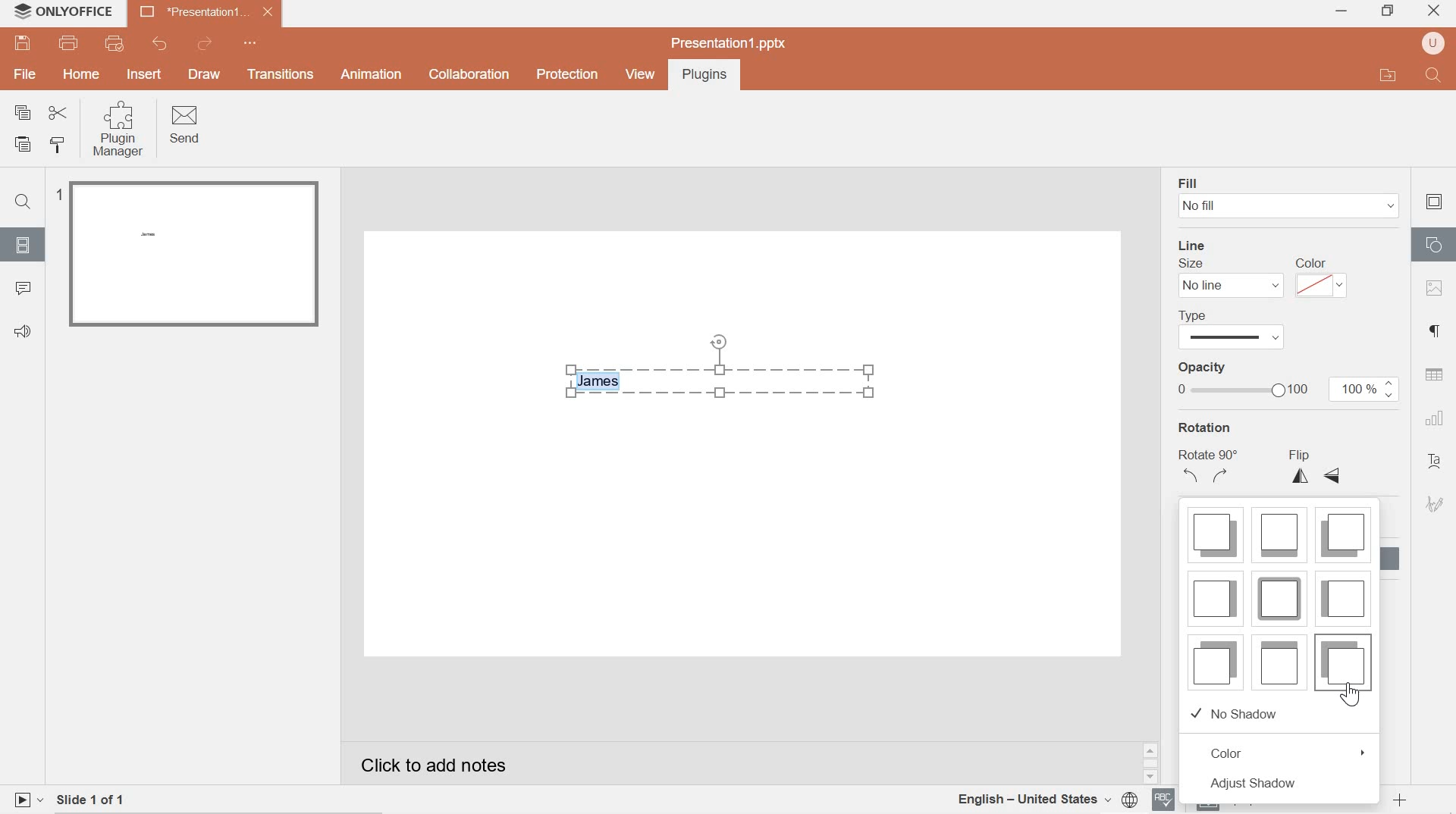 This screenshot has width=1456, height=814. Describe the element at coordinates (1342, 662) in the screenshot. I see `shadow style` at that location.